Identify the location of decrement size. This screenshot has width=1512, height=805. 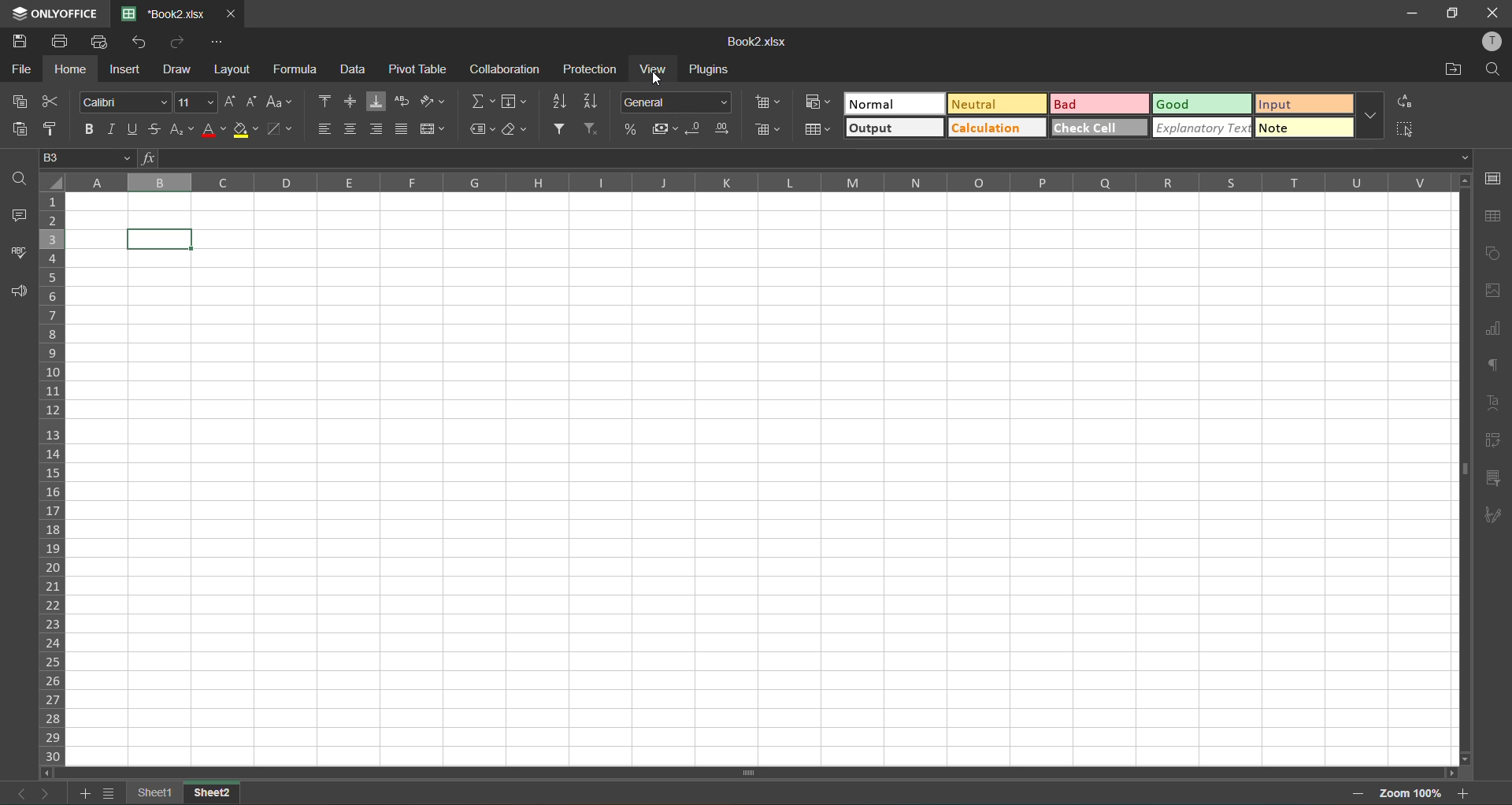
(254, 103).